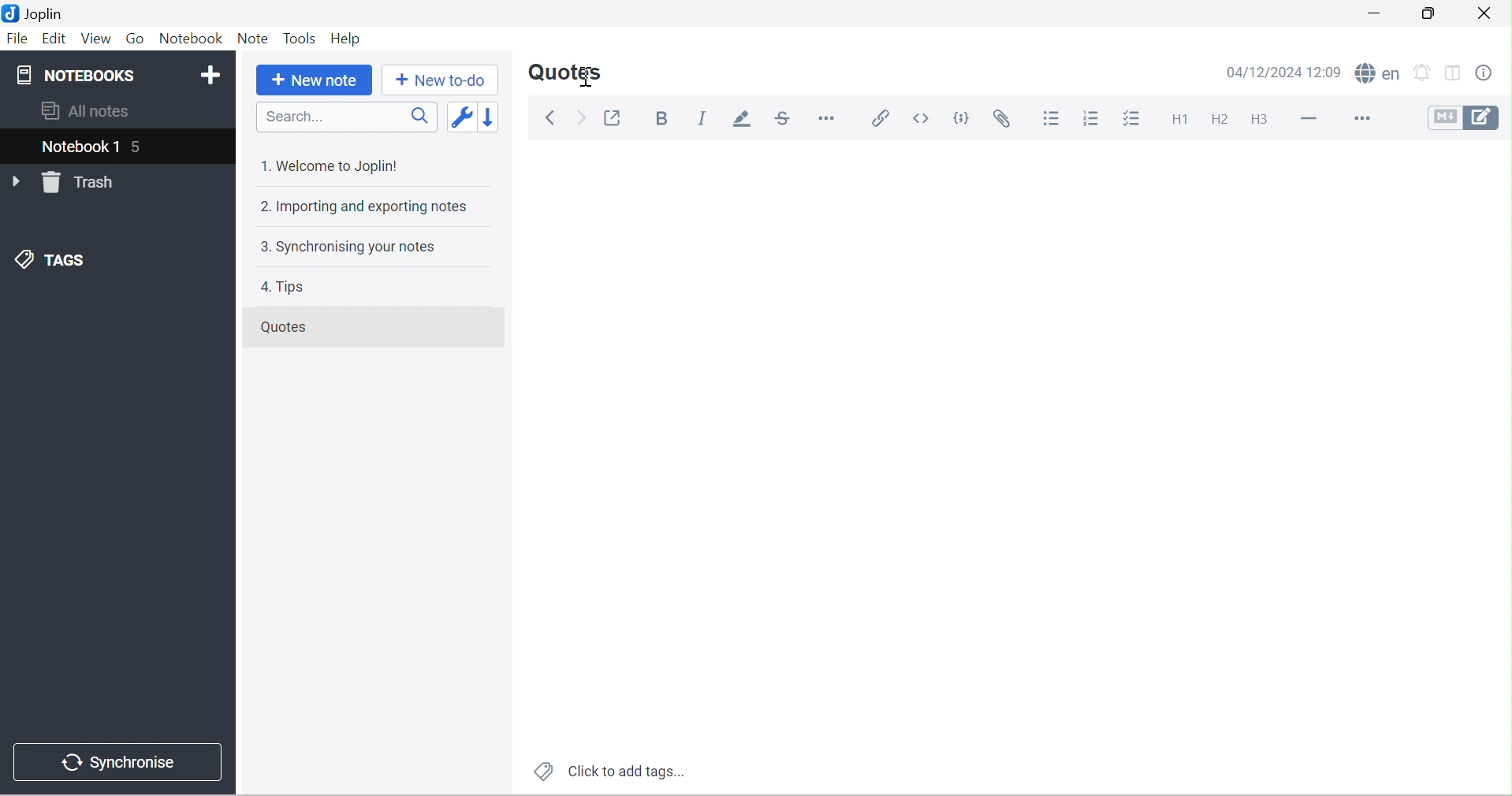  What do you see at coordinates (1456, 71) in the screenshot?
I see `Toggle editor layout` at bounding box center [1456, 71].